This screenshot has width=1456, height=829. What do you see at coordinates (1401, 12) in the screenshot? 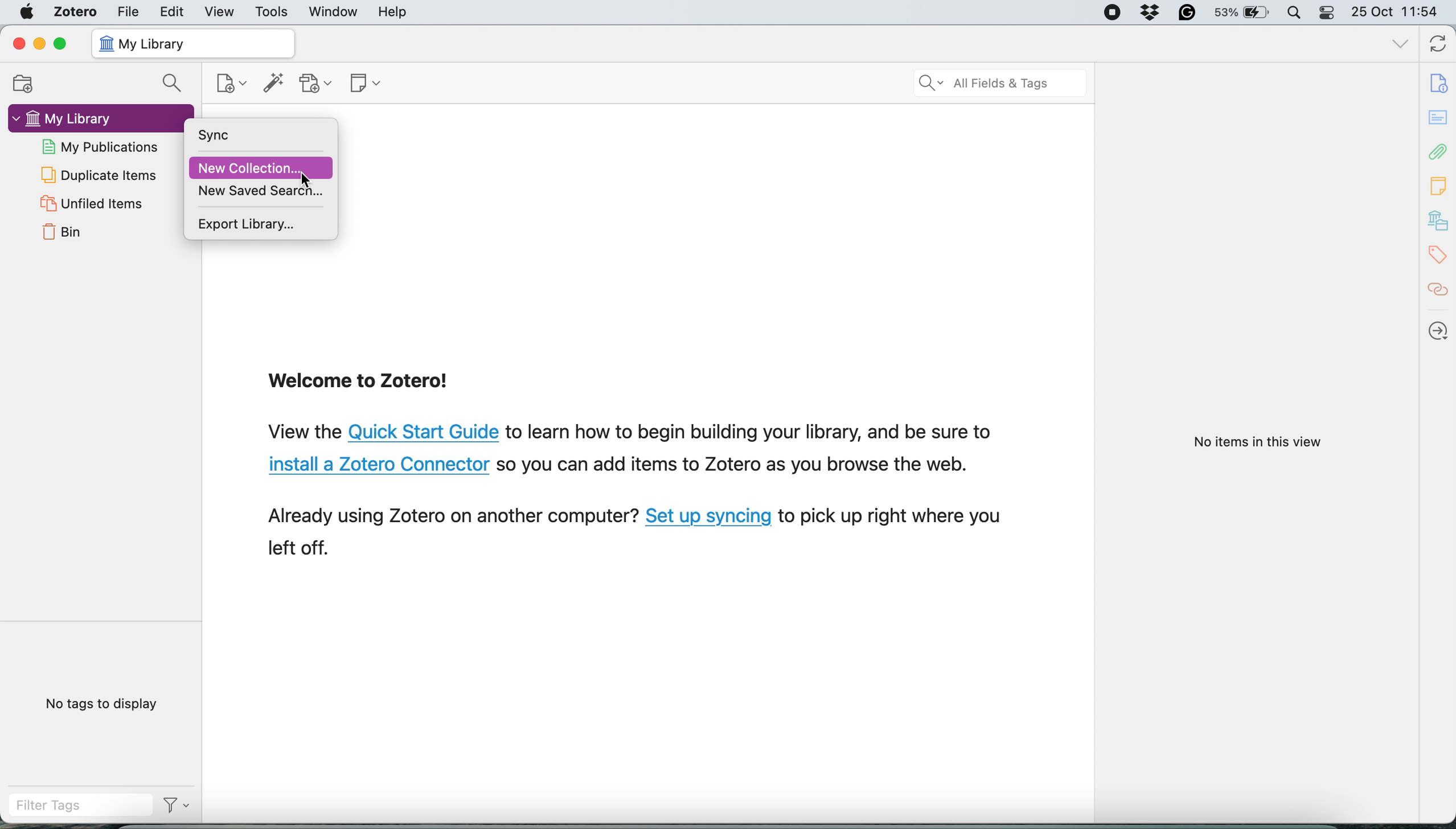
I see `25 Oct 11:54` at bounding box center [1401, 12].